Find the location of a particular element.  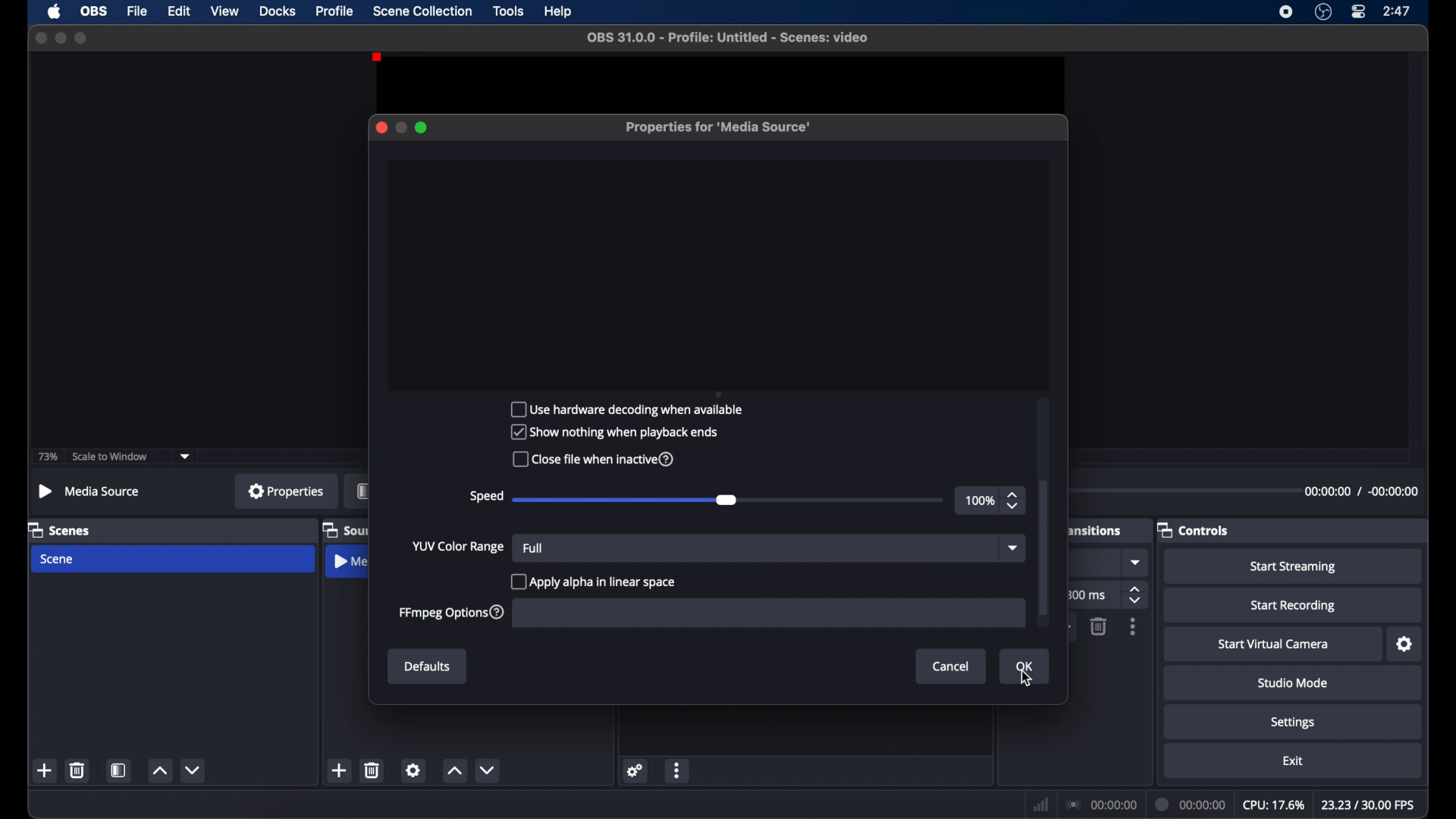

scene is located at coordinates (58, 559).